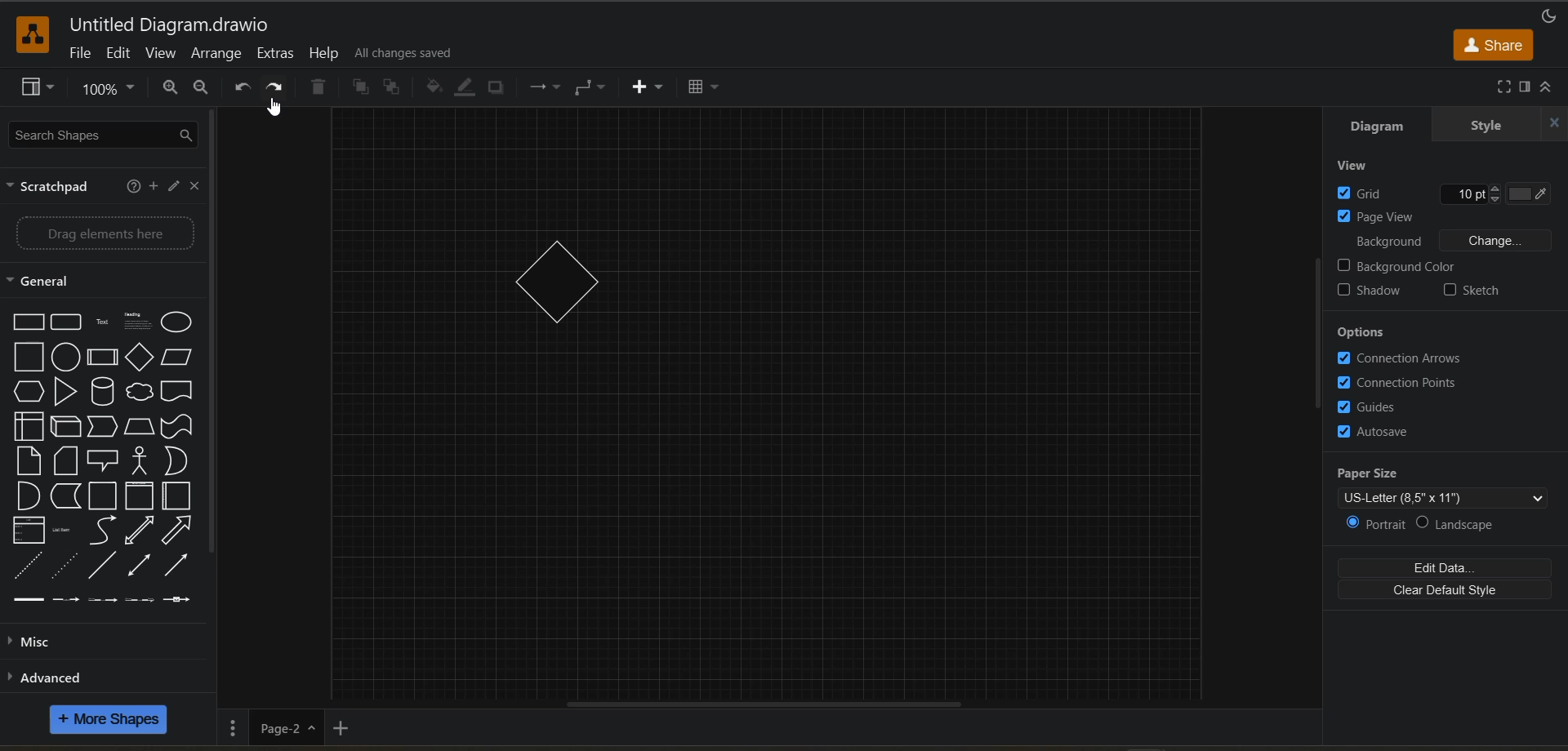 The image size is (1568, 751). I want to click on background, so click(1450, 240).